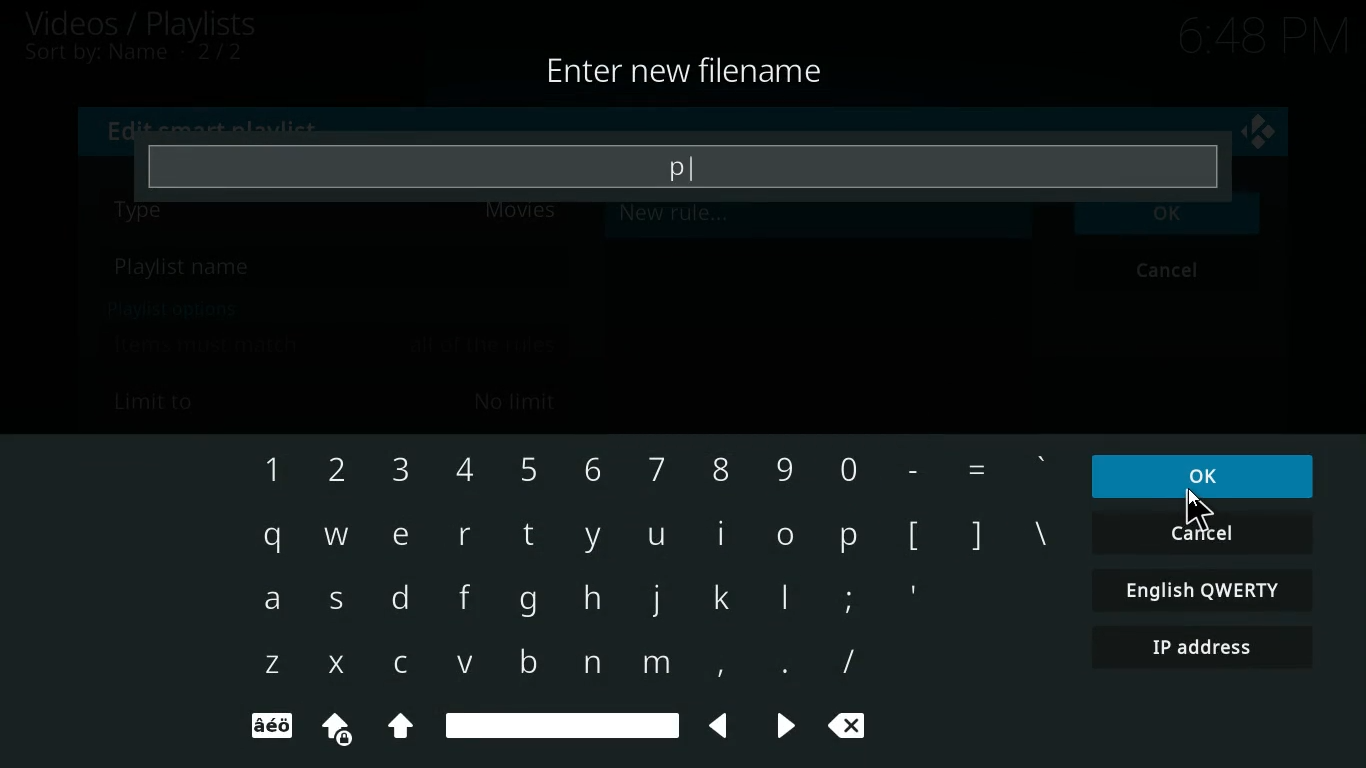 The height and width of the screenshot is (768, 1366). What do you see at coordinates (975, 533) in the screenshot?
I see `]` at bounding box center [975, 533].